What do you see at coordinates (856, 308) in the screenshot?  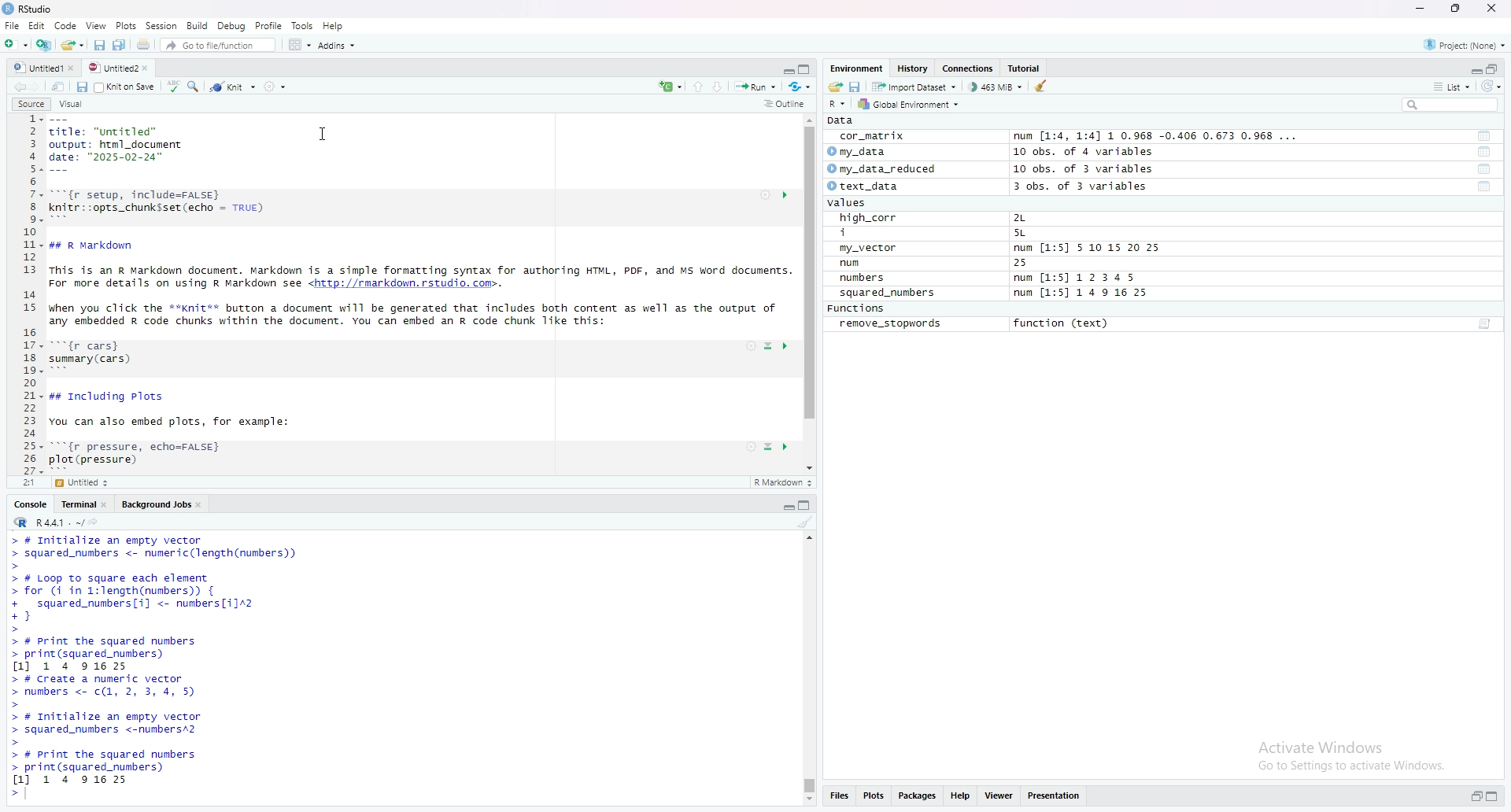 I see `Functions` at bounding box center [856, 308].